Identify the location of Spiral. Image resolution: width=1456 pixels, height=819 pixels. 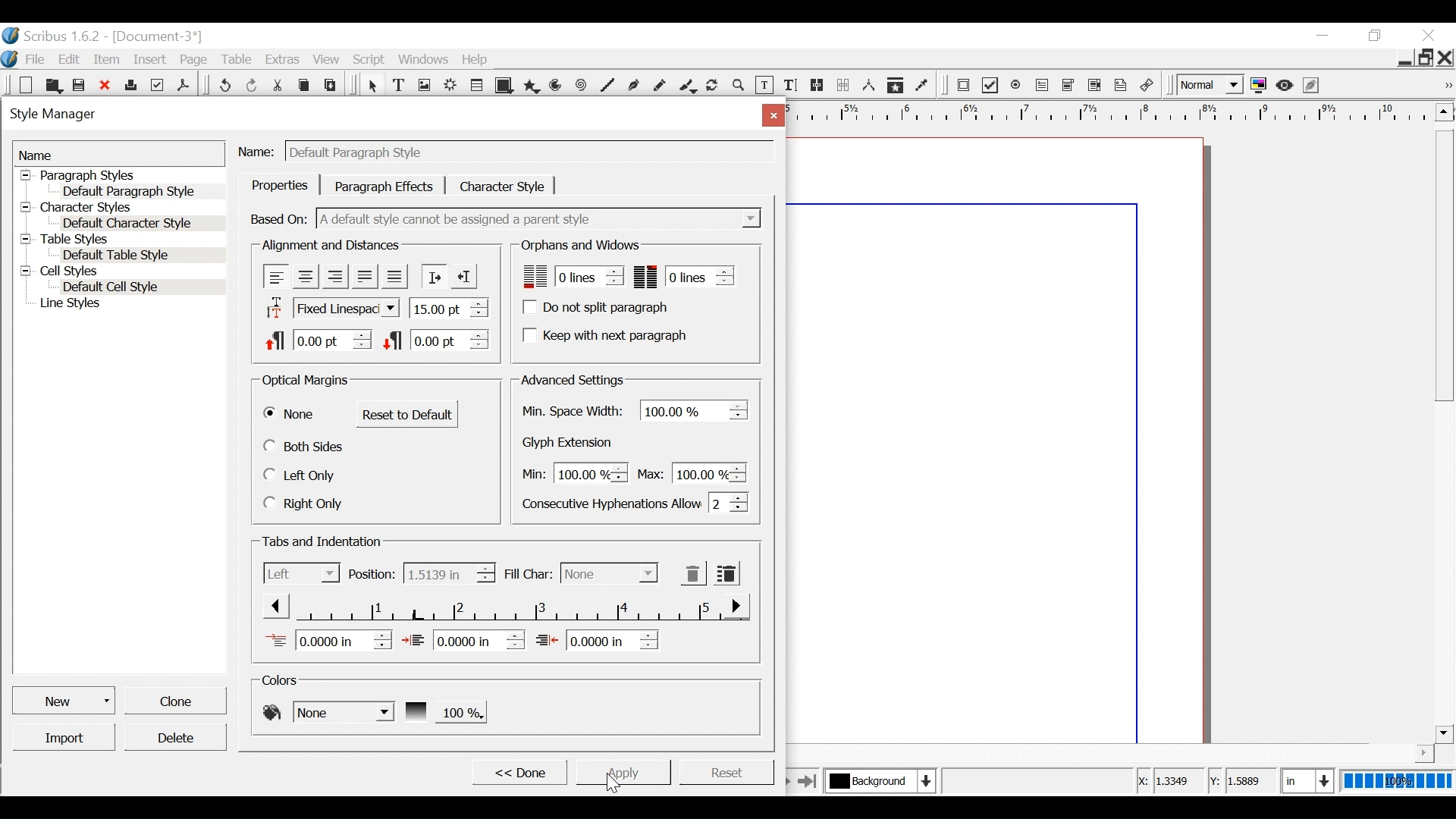
(582, 86).